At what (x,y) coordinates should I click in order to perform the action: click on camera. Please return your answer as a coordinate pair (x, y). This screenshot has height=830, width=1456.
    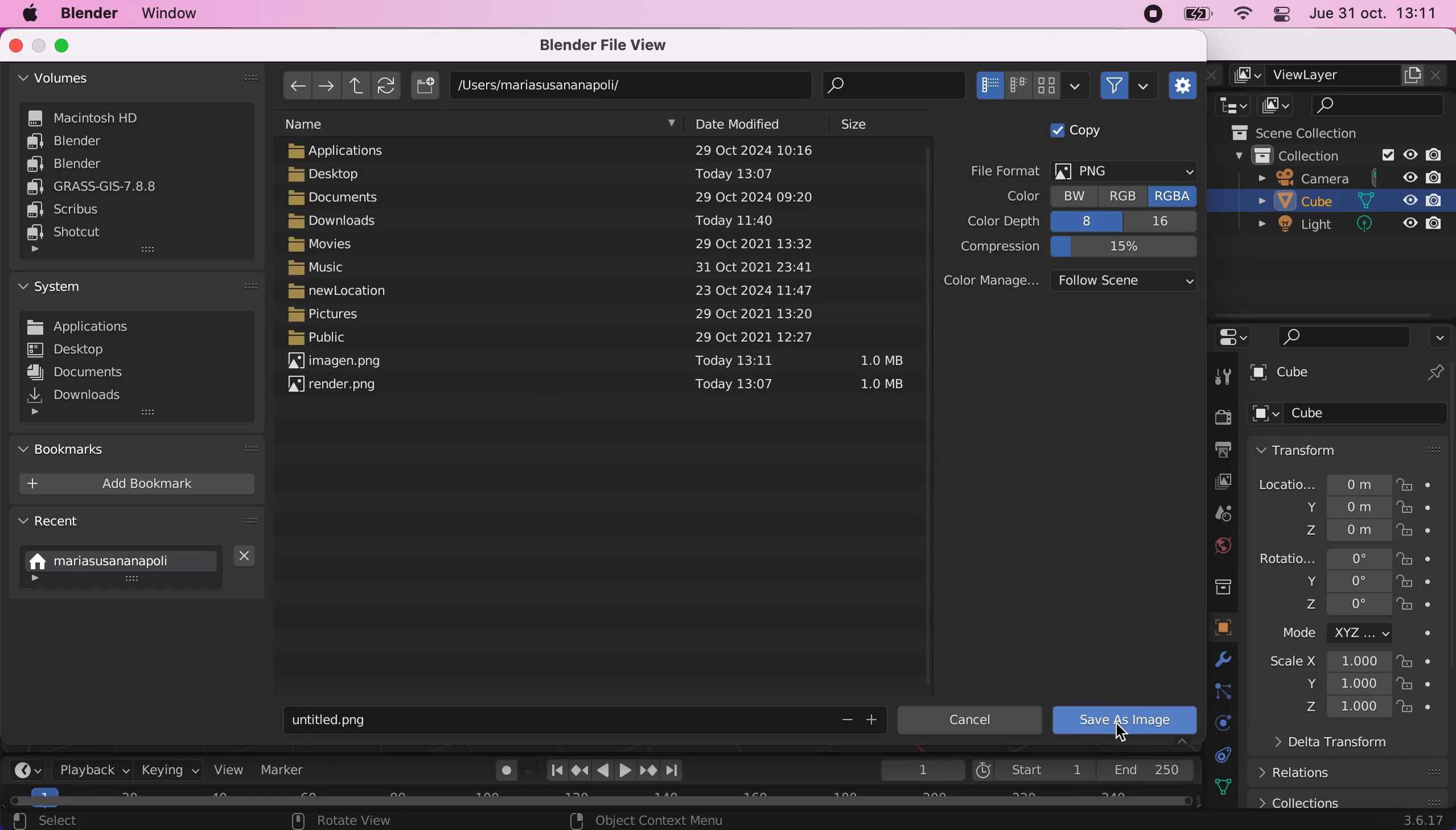
    Looking at the image, I should click on (1349, 177).